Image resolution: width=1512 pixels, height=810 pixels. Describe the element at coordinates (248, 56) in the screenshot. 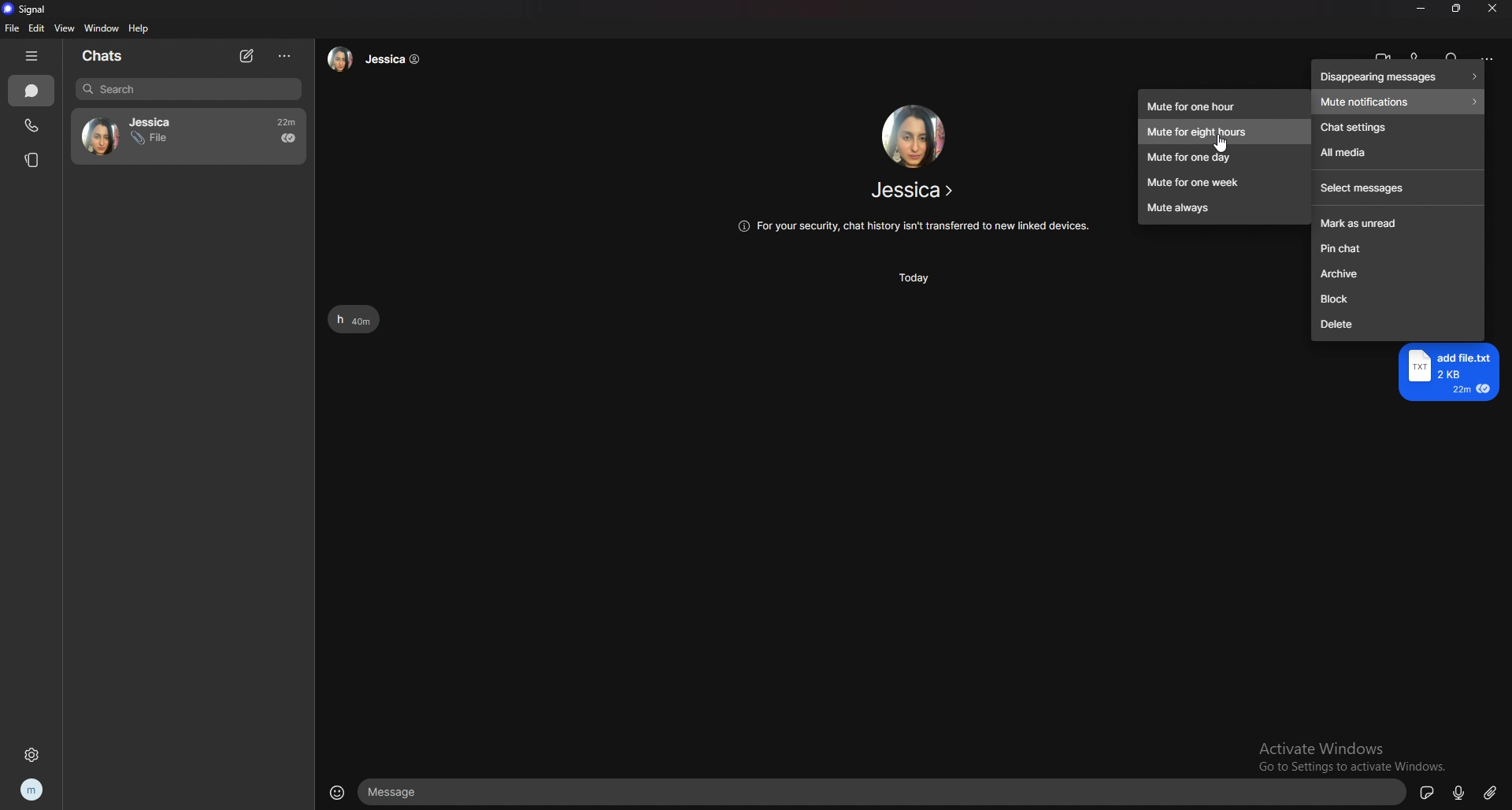

I see `new chat` at that location.